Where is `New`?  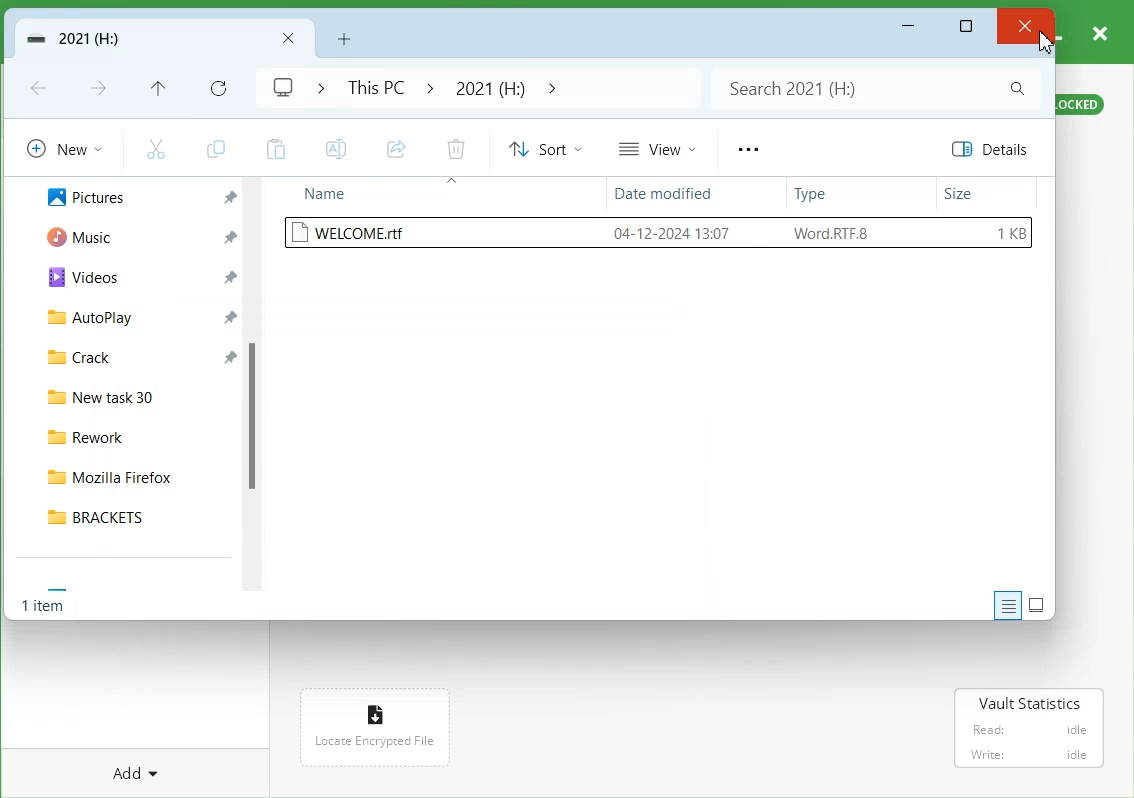 New is located at coordinates (64, 147).